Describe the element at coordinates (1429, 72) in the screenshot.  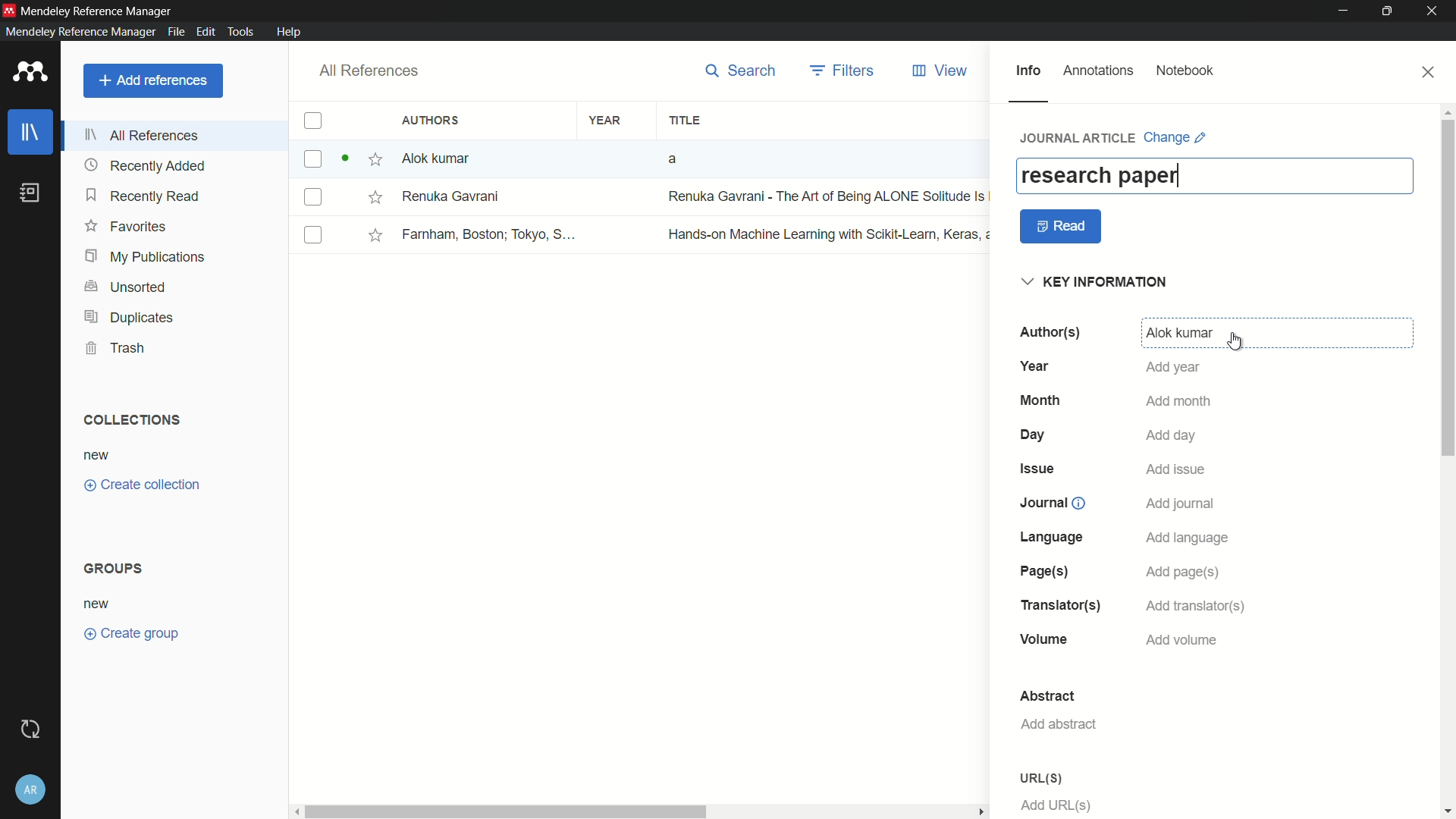
I see `close` at that location.